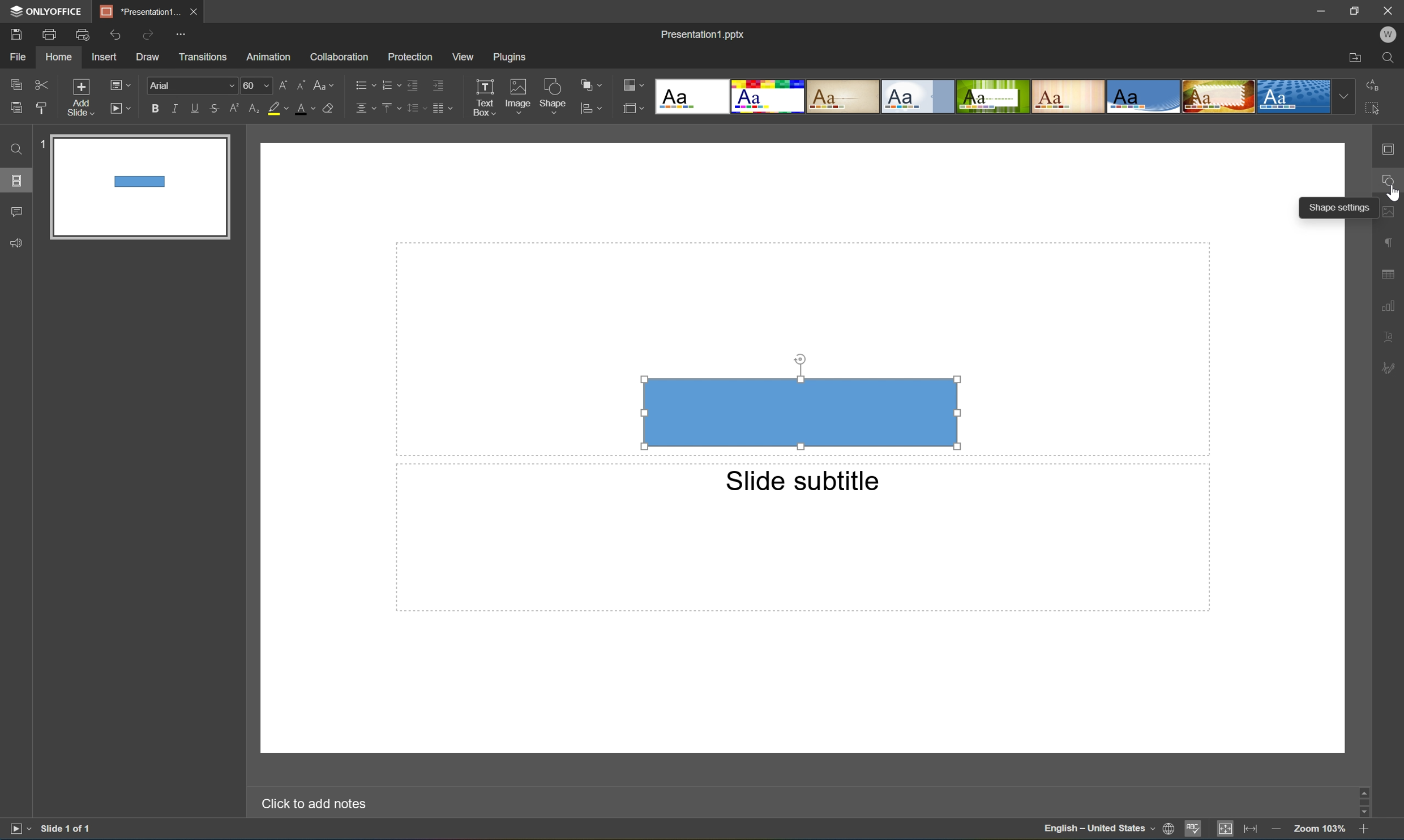 This screenshot has width=1404, height=840. I want to click on Zoom 103%, so click(1319, 829).